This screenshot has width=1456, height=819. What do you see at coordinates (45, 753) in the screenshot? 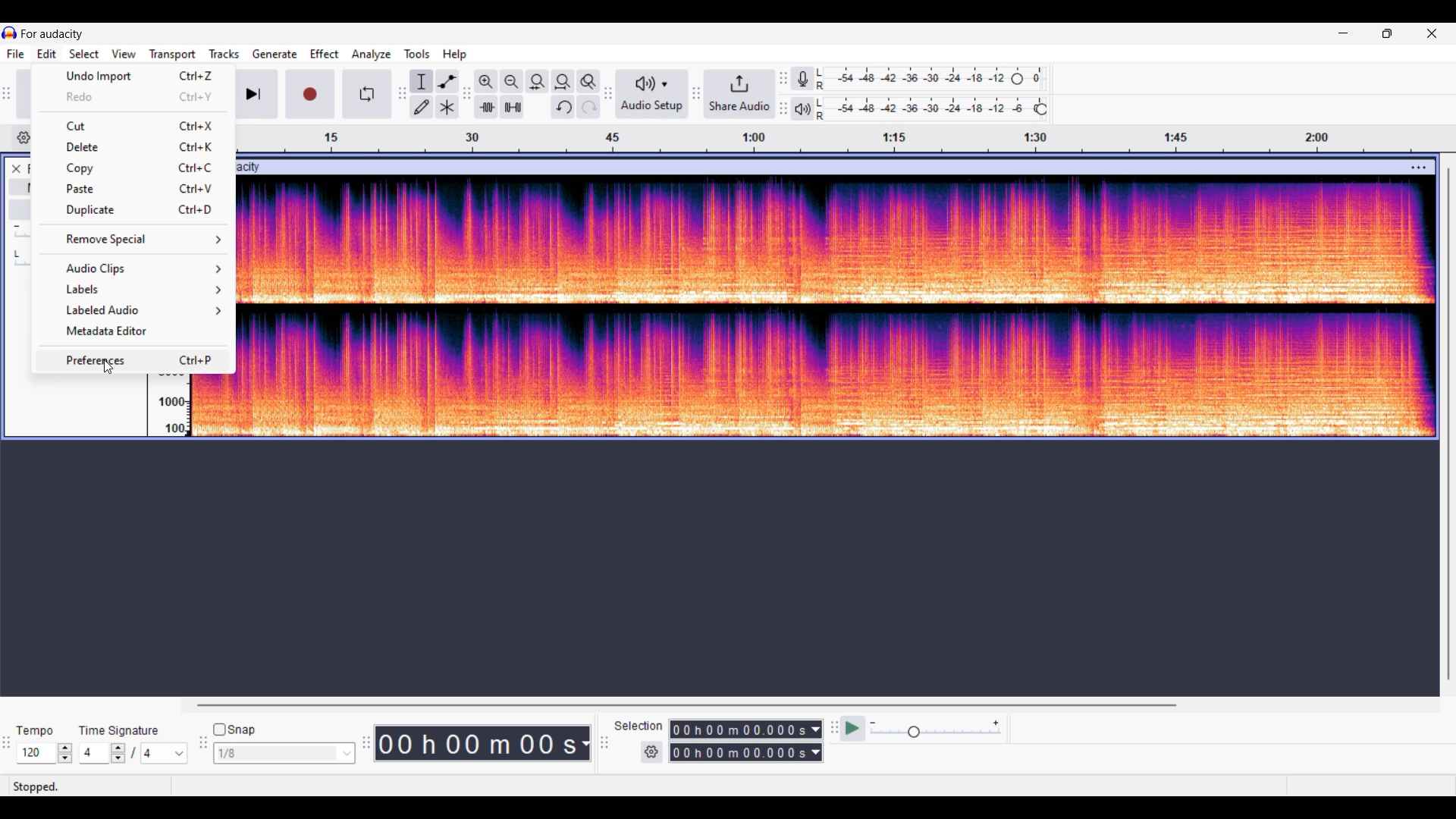
I see `Tempo settings` at bounding box center [45, 753].